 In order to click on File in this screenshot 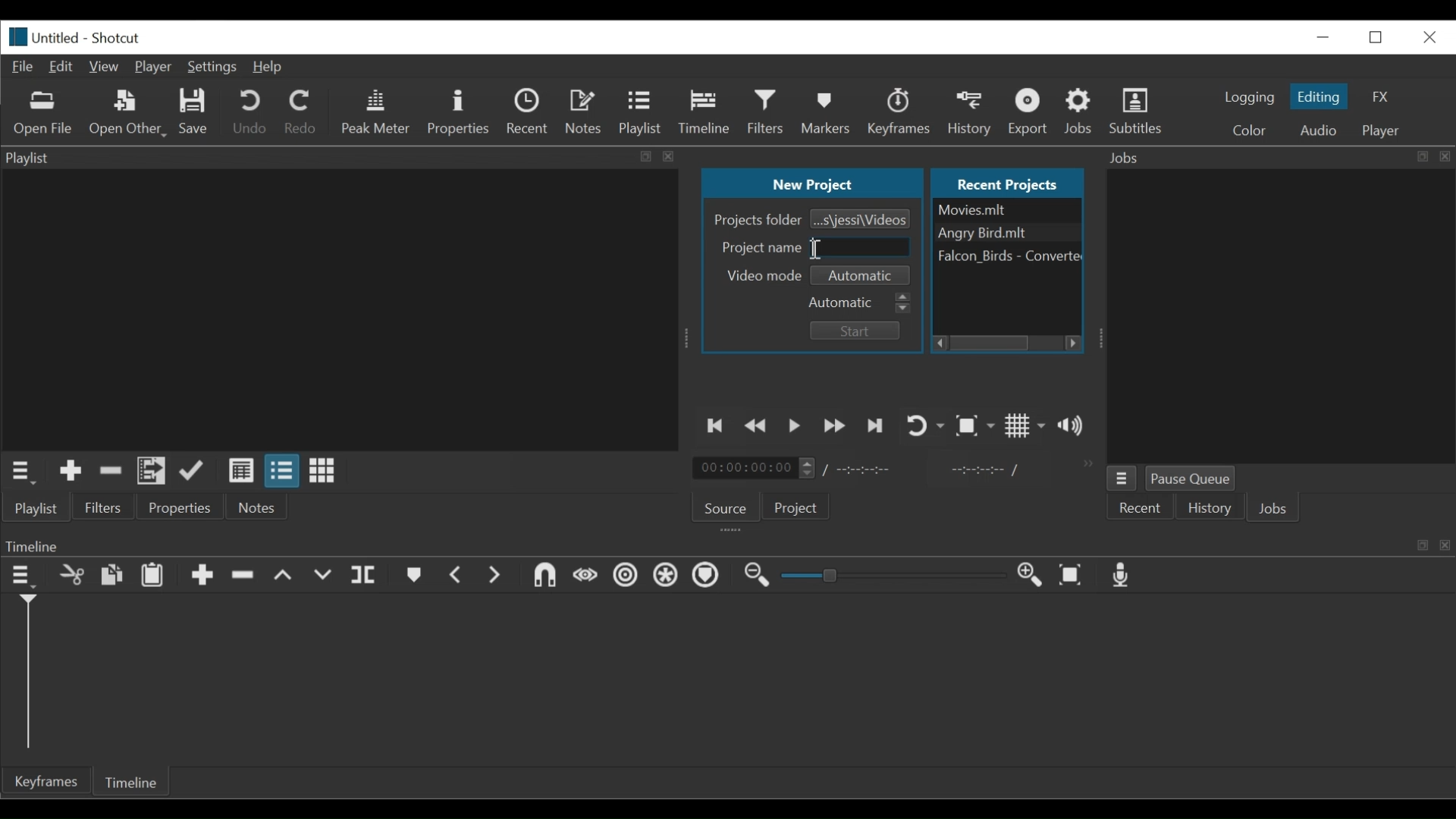, I will do `click(1007, 256)`.